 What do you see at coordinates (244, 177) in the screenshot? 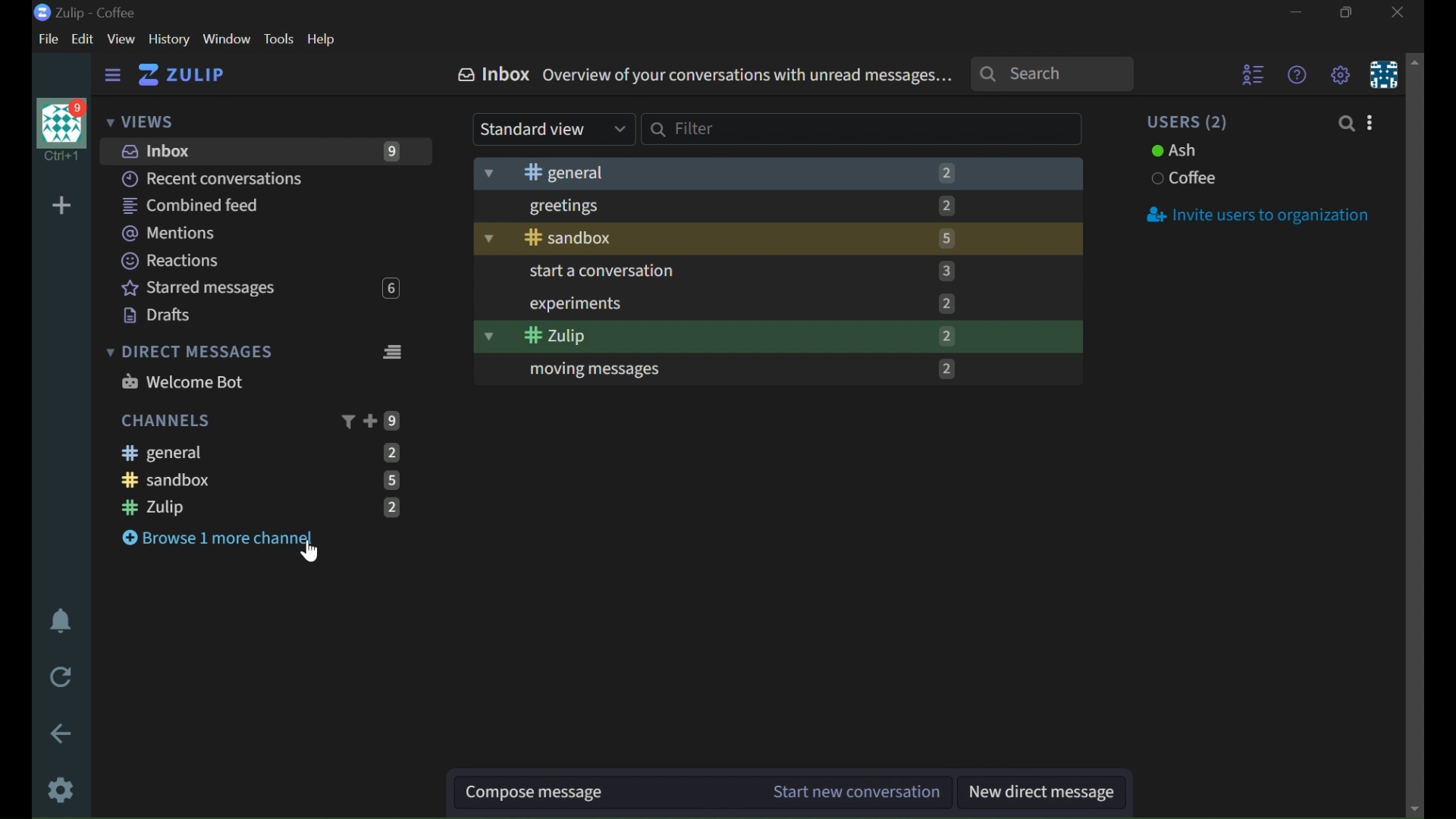
I see `RECENT CONVERSATIONS` at bounding box center [244, 177].